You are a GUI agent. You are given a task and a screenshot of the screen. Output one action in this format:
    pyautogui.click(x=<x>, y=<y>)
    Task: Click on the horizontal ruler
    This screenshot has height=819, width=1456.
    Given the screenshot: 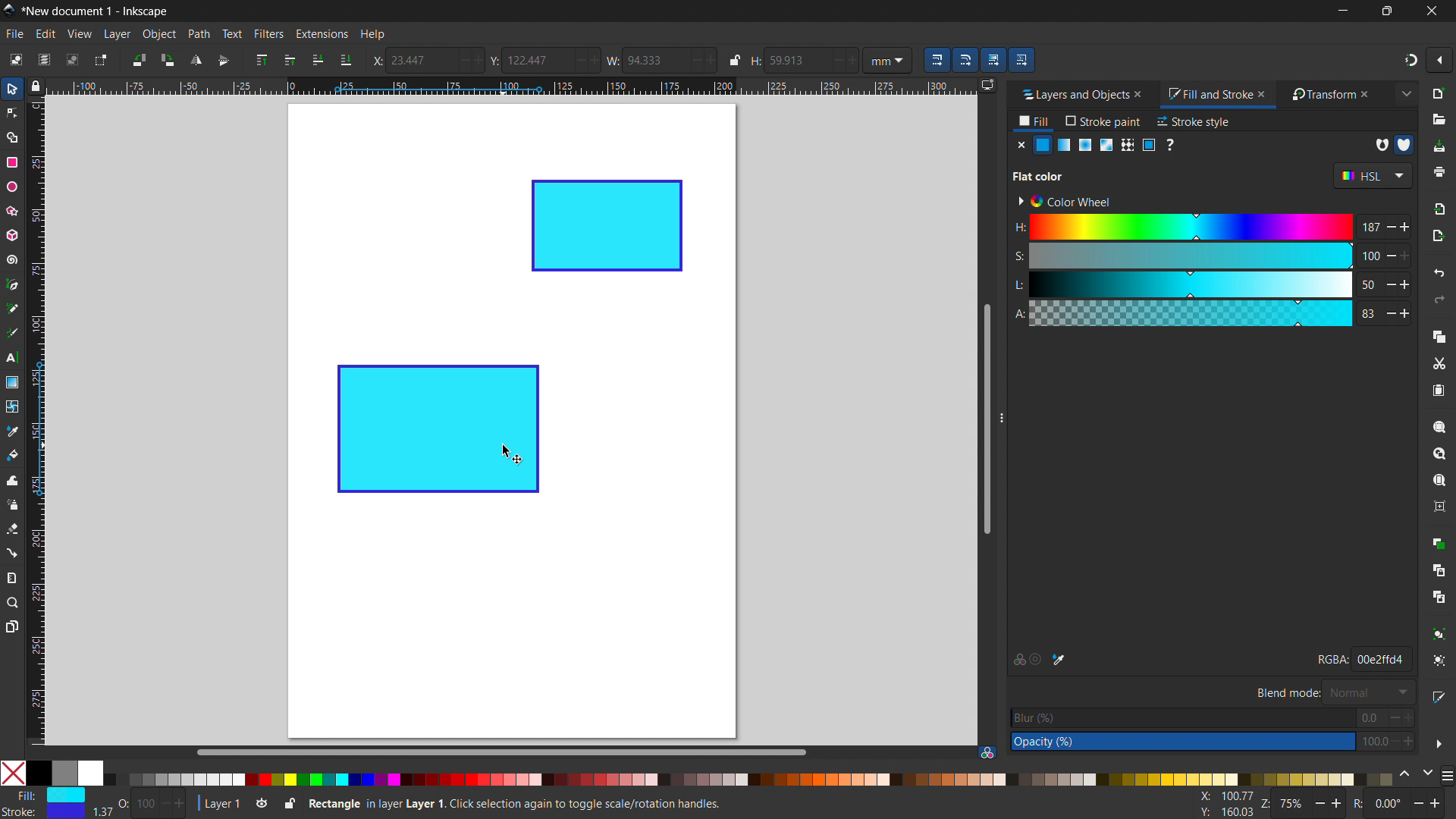 What is the action you would take?
    pyautogui.click(x=510, y=88)
    